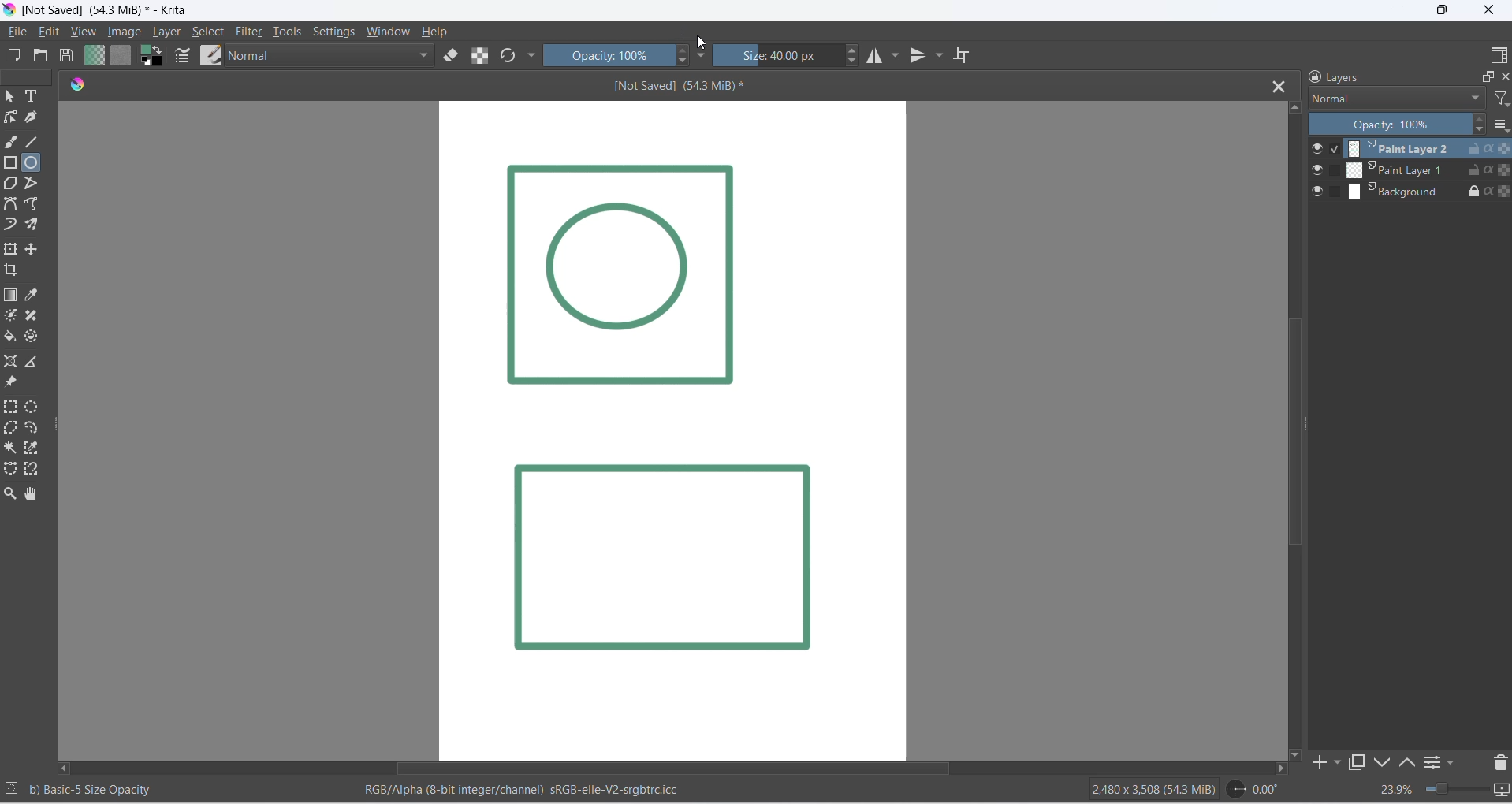 The width and height of the screenshot is (1512, 804). I want to click on text, so click(37, 98).